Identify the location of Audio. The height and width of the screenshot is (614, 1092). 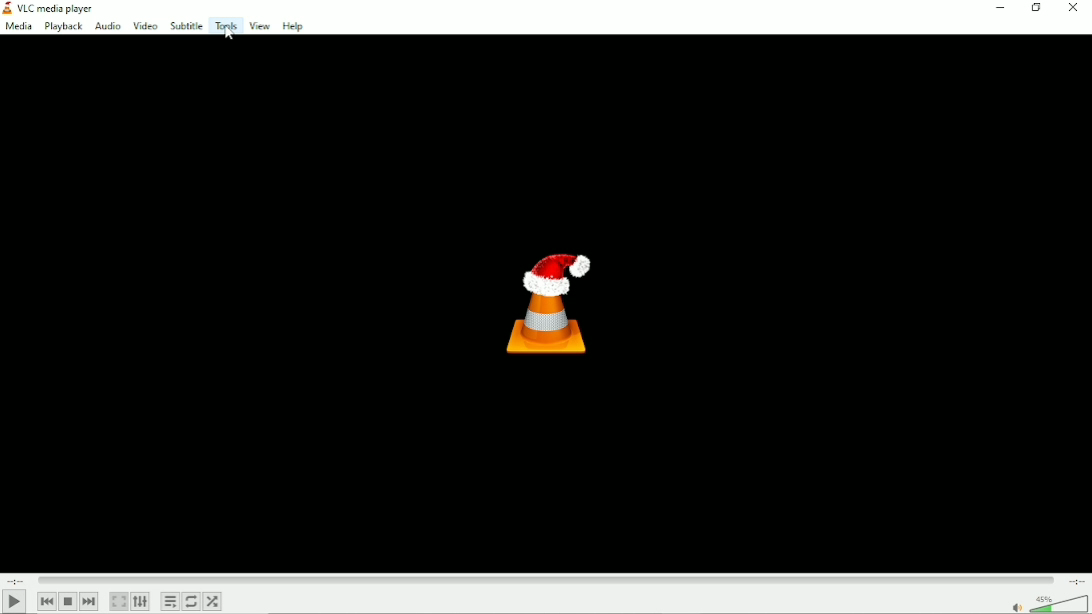
(106, 26).